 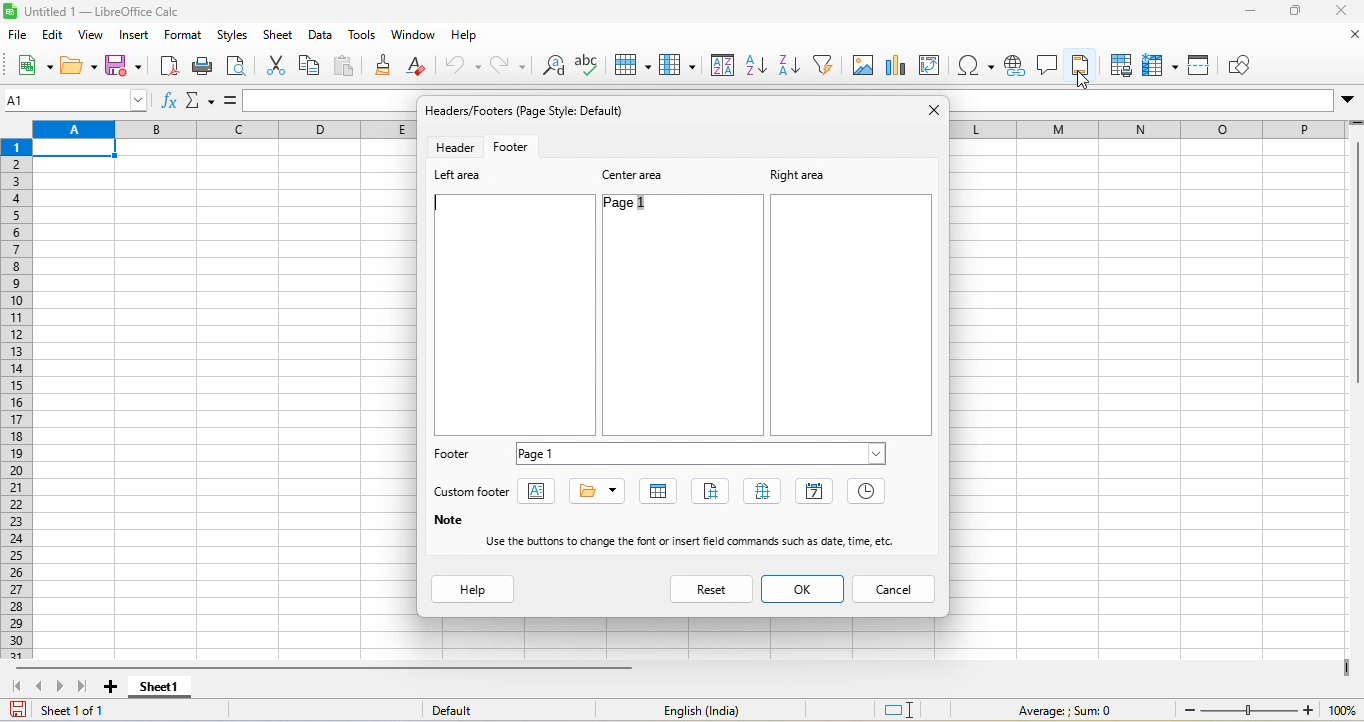 What do you see at coordinates (447, 521) in the screenshot?
I see `note` at bounding box center [447, 521].